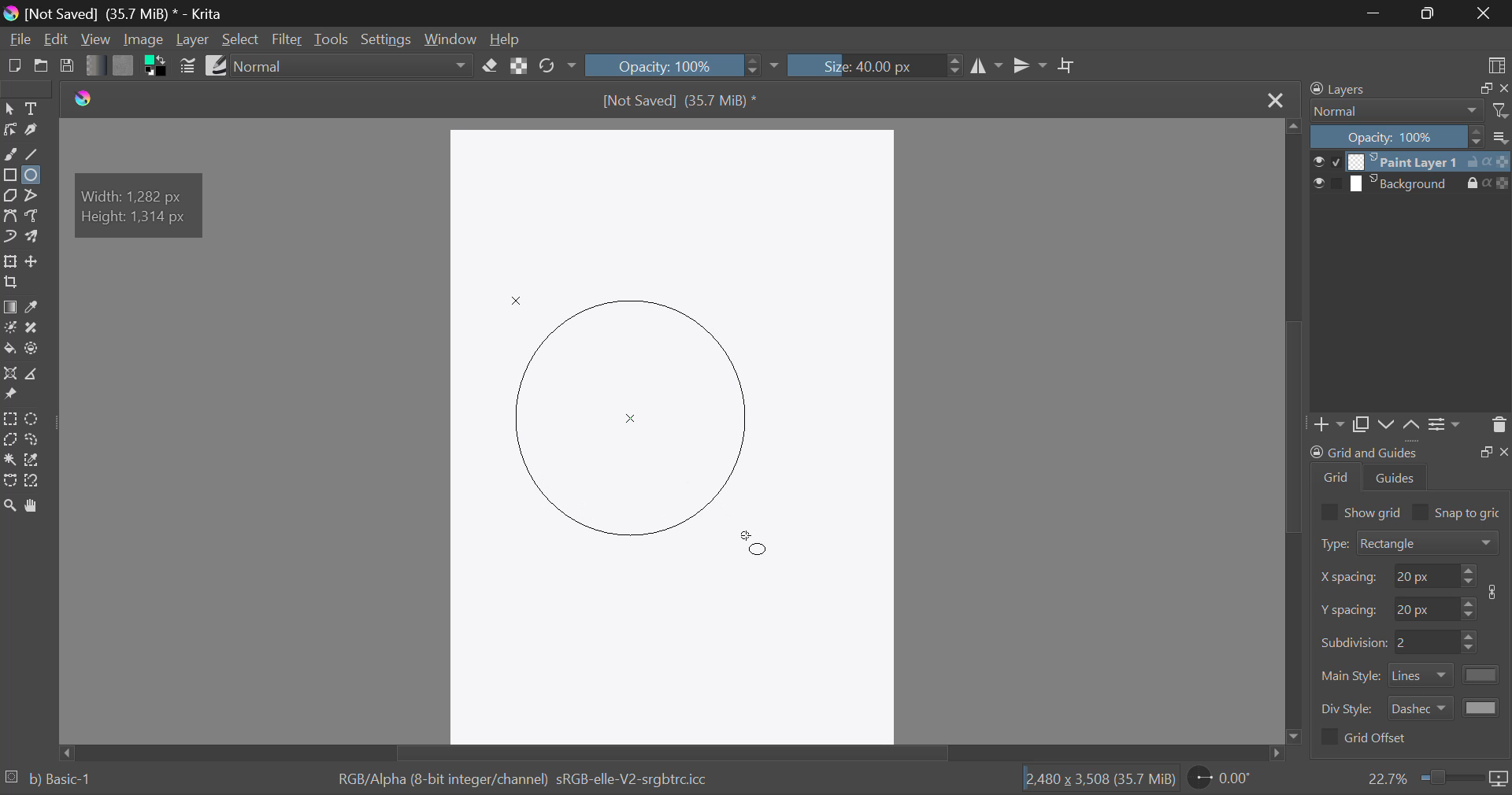 This screenshot has height=795, width=1512. Describe the element at coordinates (988, 66) in the screenshot. I see `Vertical Mirror Flip` at that location.